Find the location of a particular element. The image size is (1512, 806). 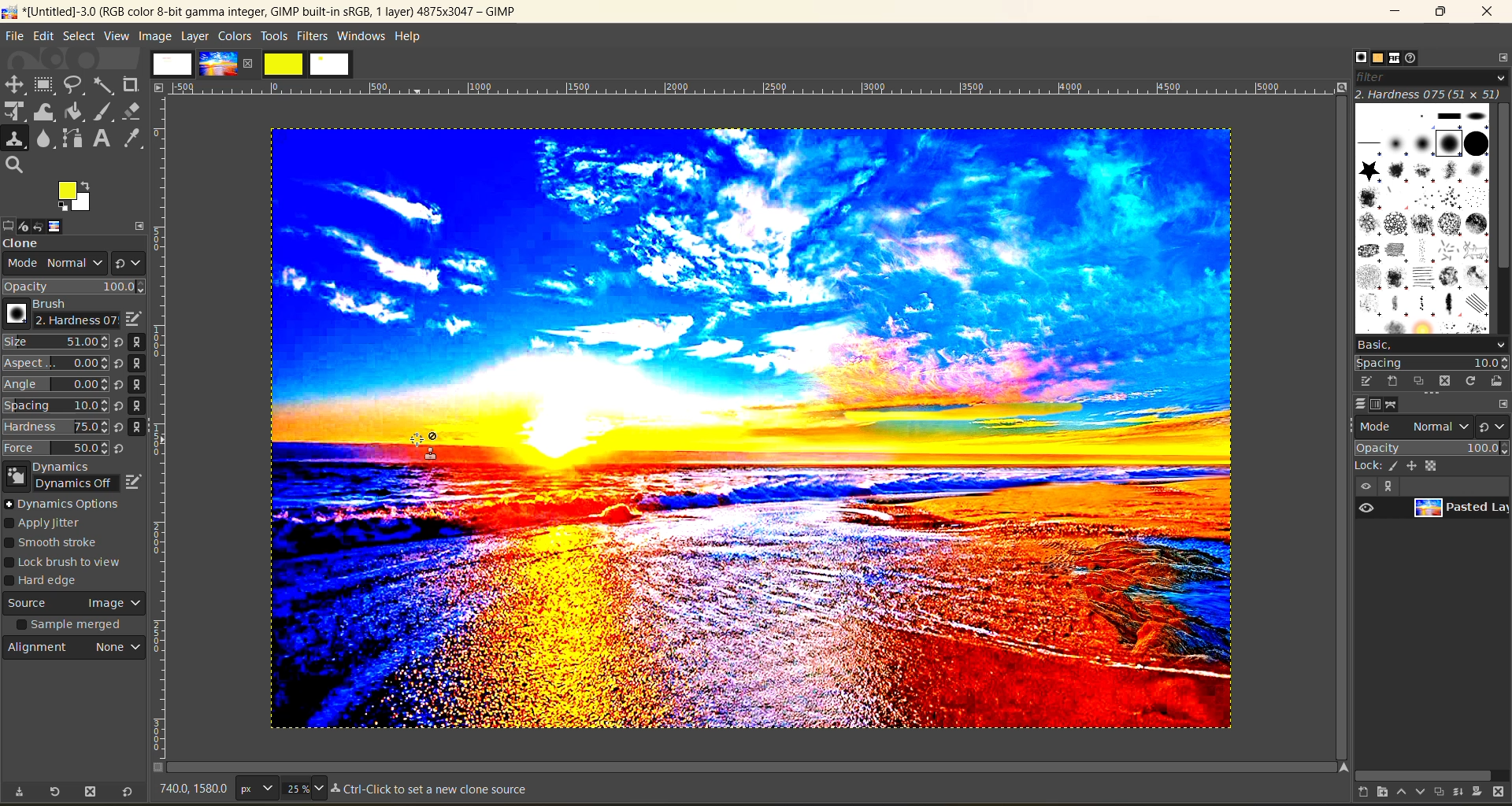

undo is located at coordinates (48, 225).